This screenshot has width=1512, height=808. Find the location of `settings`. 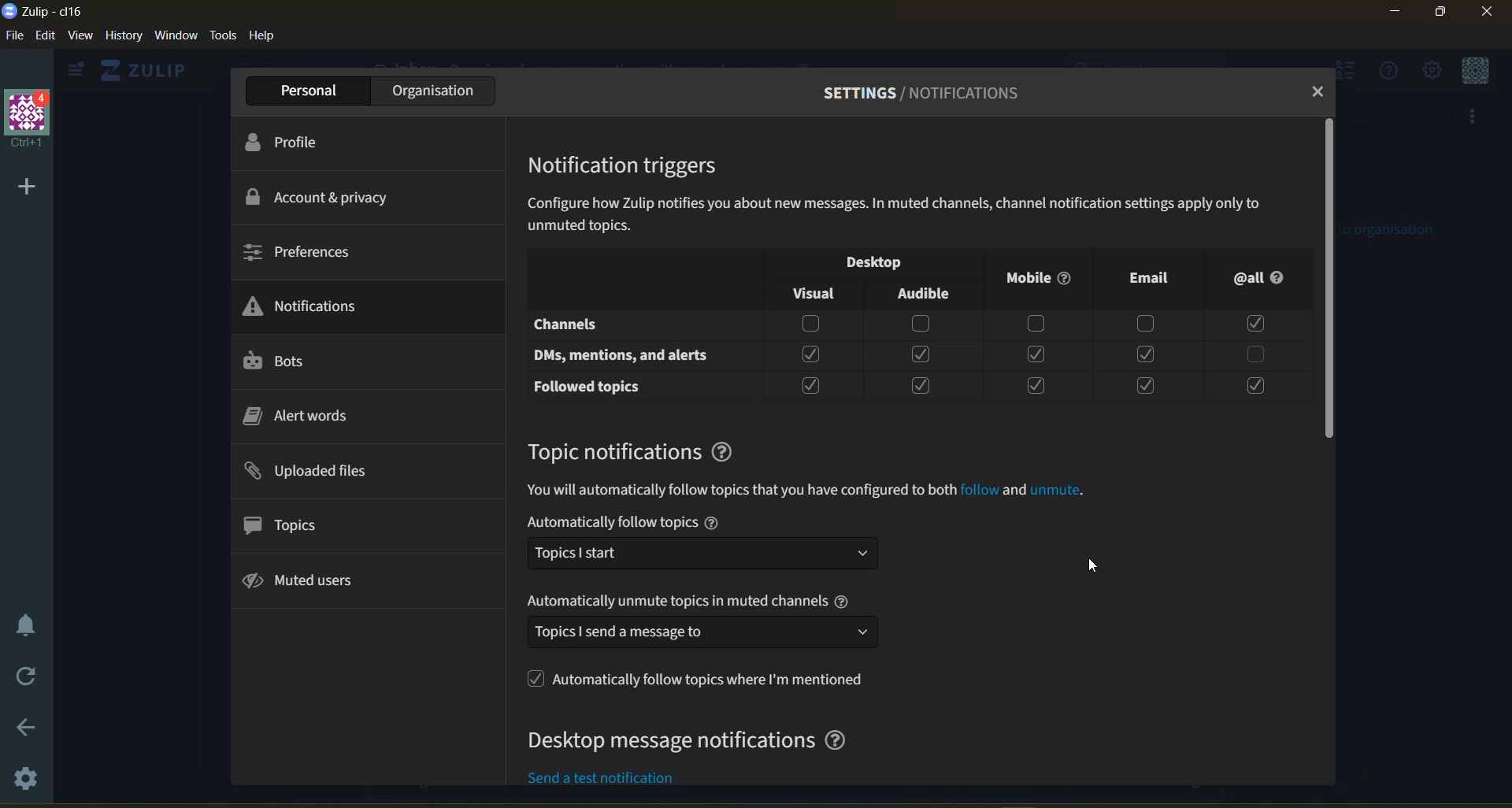

settings is located at coordinates (27, 784).